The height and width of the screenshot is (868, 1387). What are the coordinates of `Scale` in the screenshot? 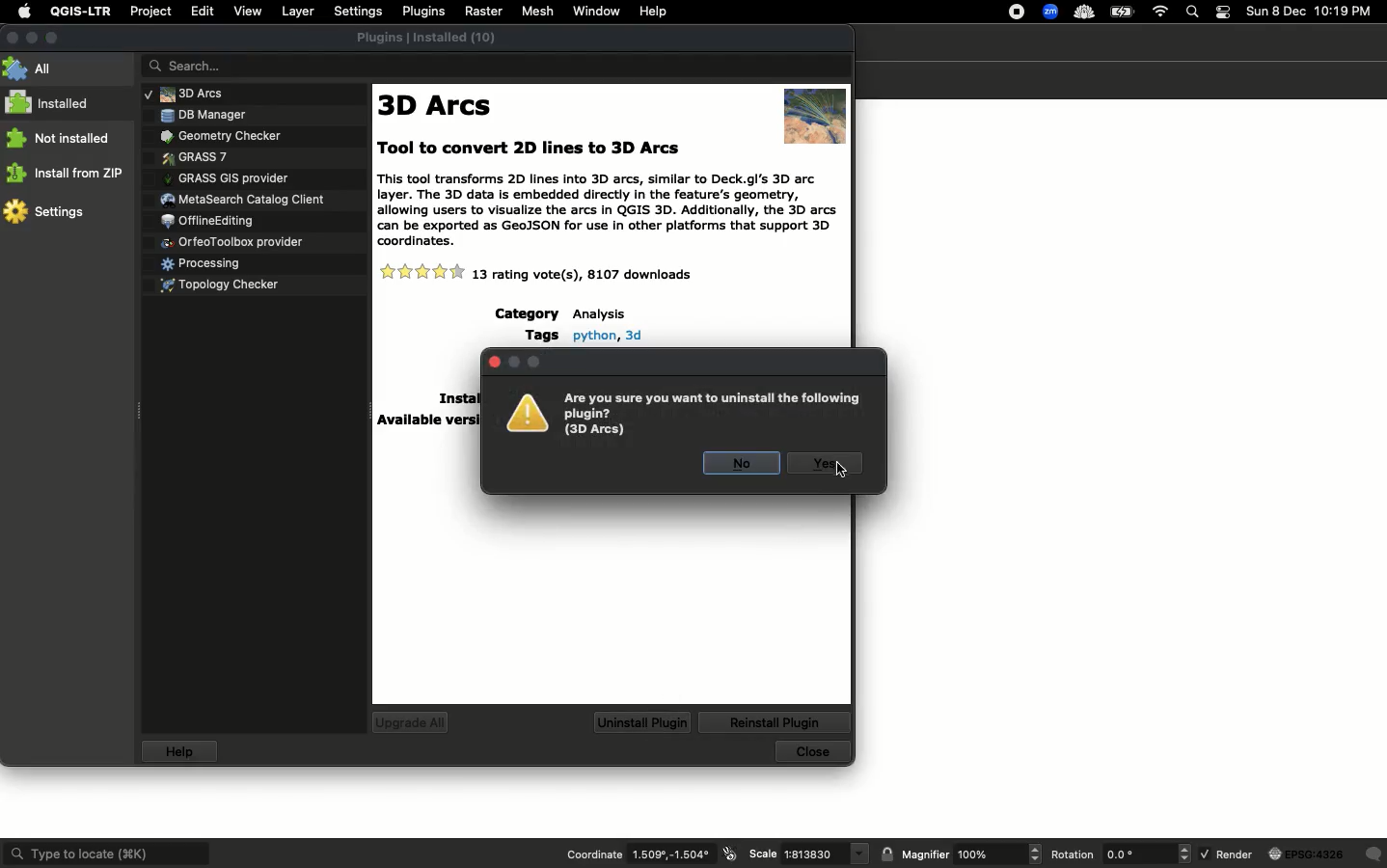 It's located at (805, 854).